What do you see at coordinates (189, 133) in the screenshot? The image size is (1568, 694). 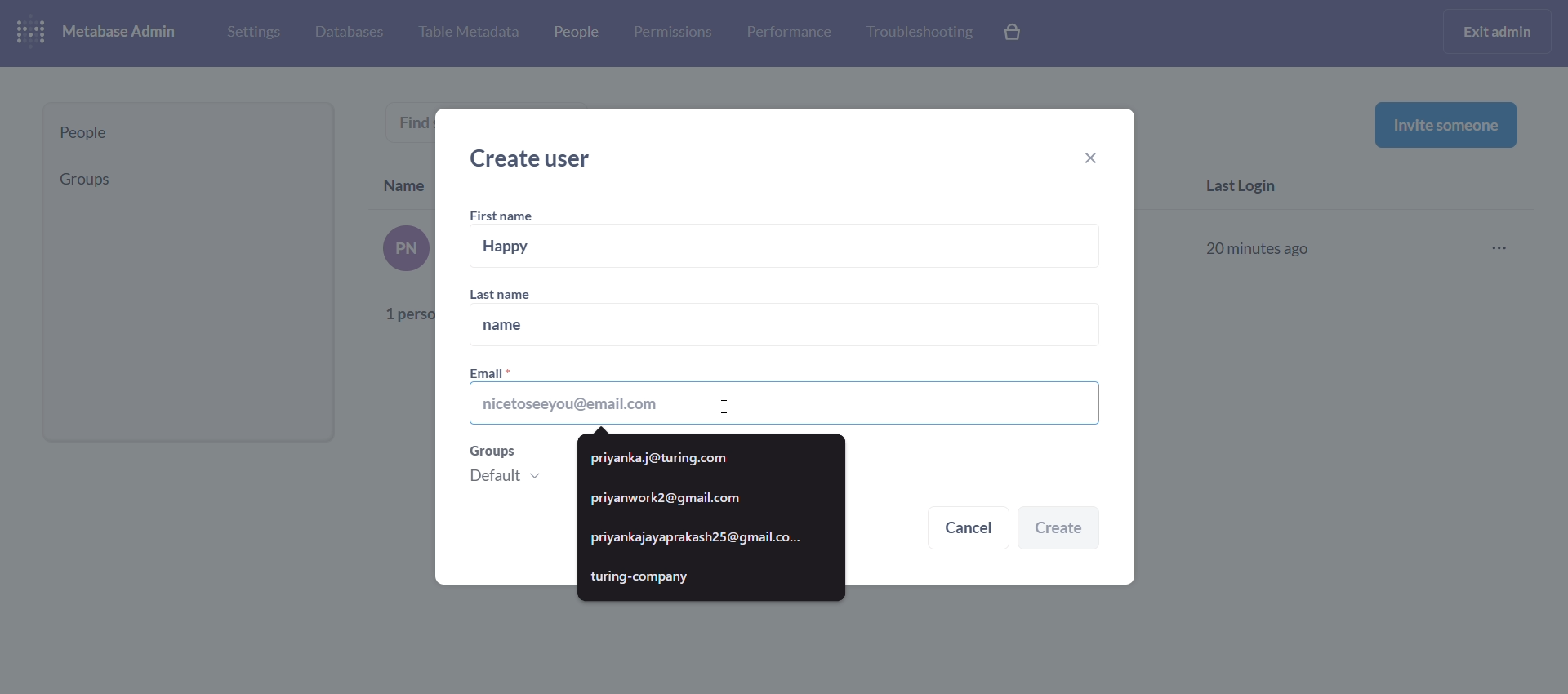 I see `people` at bounding box center [189, 133].